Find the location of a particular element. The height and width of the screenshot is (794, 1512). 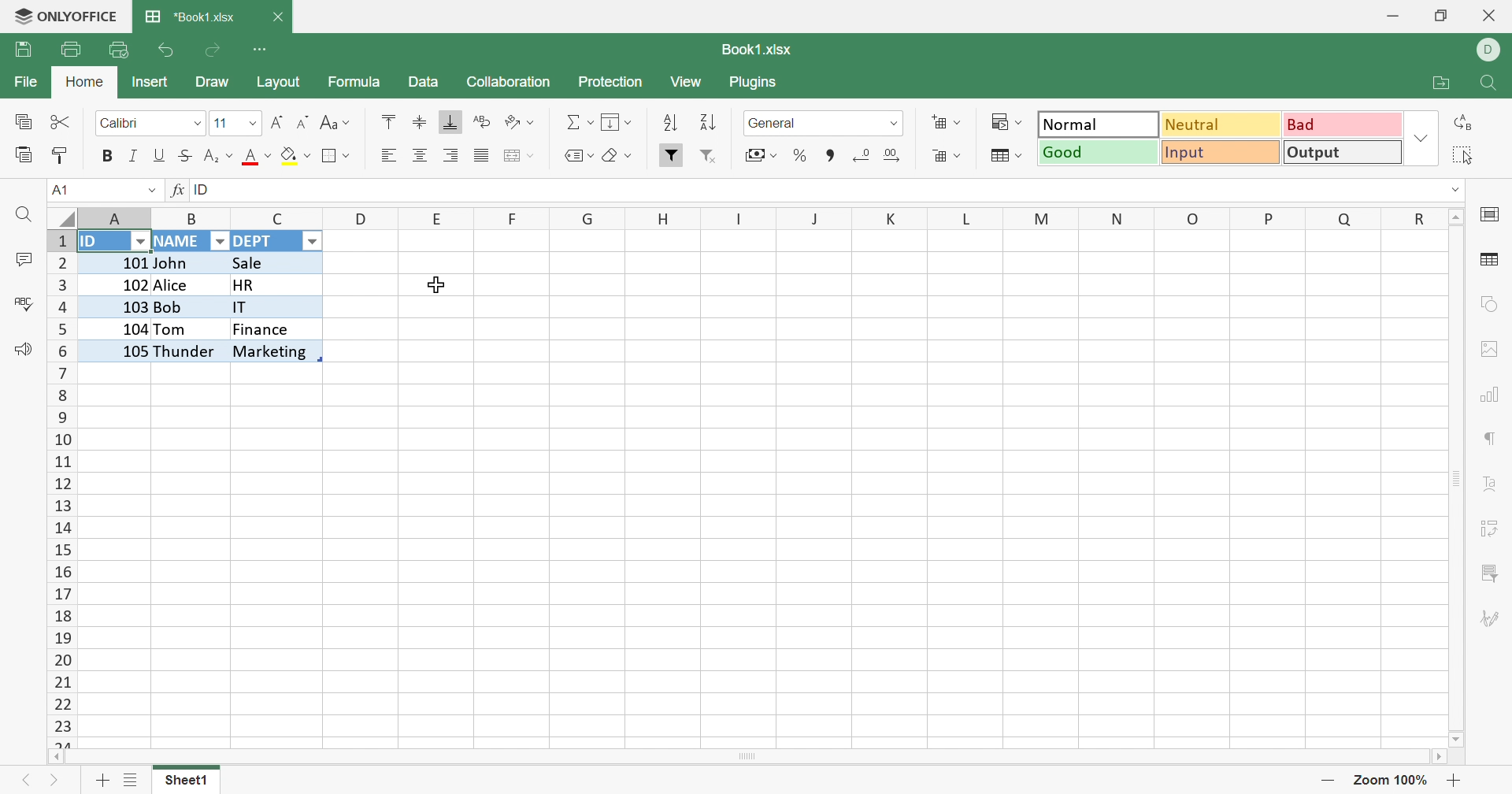

Zoom In is located at coordinates (1454, 781).